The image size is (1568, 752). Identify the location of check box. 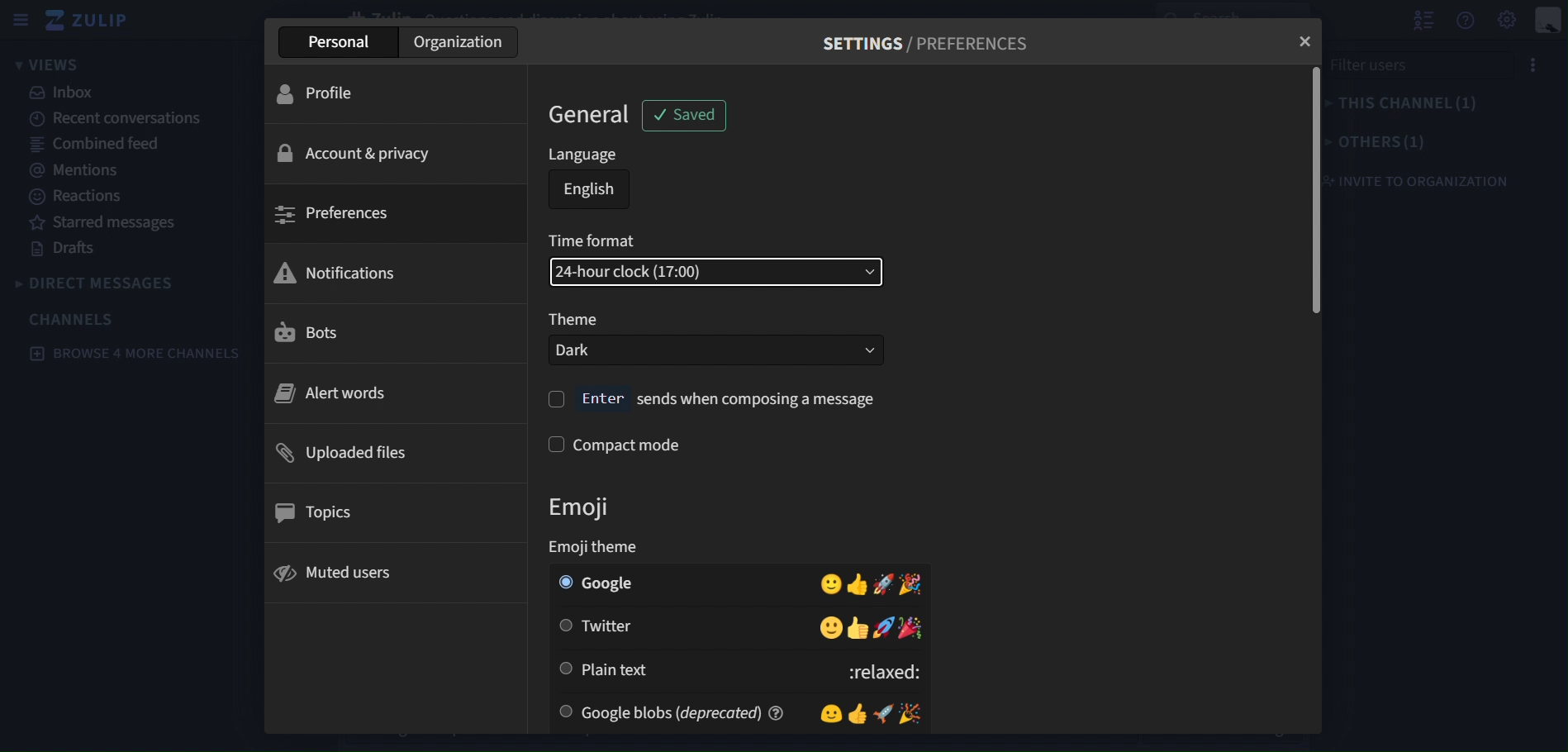
(554, 443).